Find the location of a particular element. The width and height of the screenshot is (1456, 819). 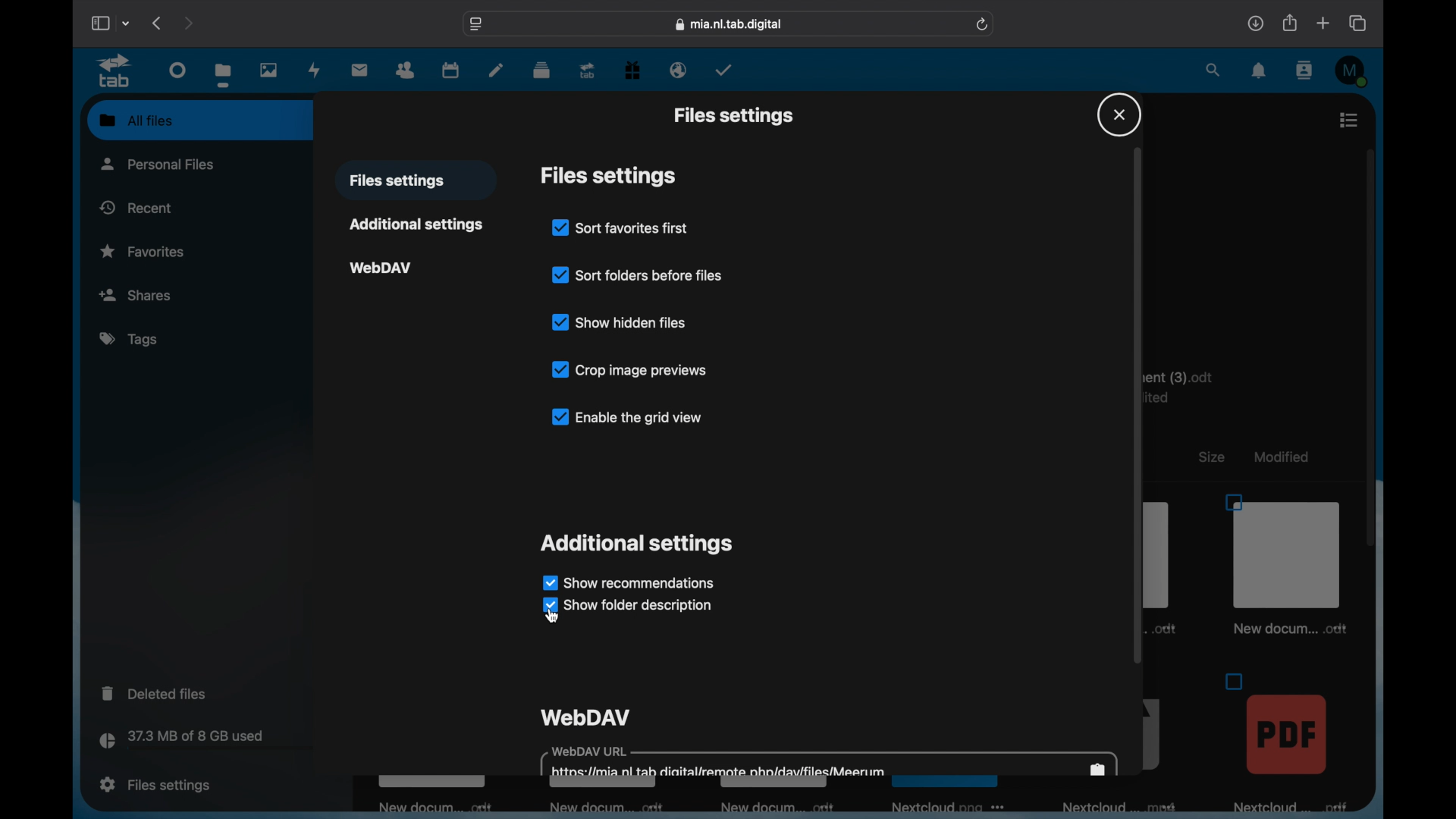

new tab is located at coordinates (1323, 23).